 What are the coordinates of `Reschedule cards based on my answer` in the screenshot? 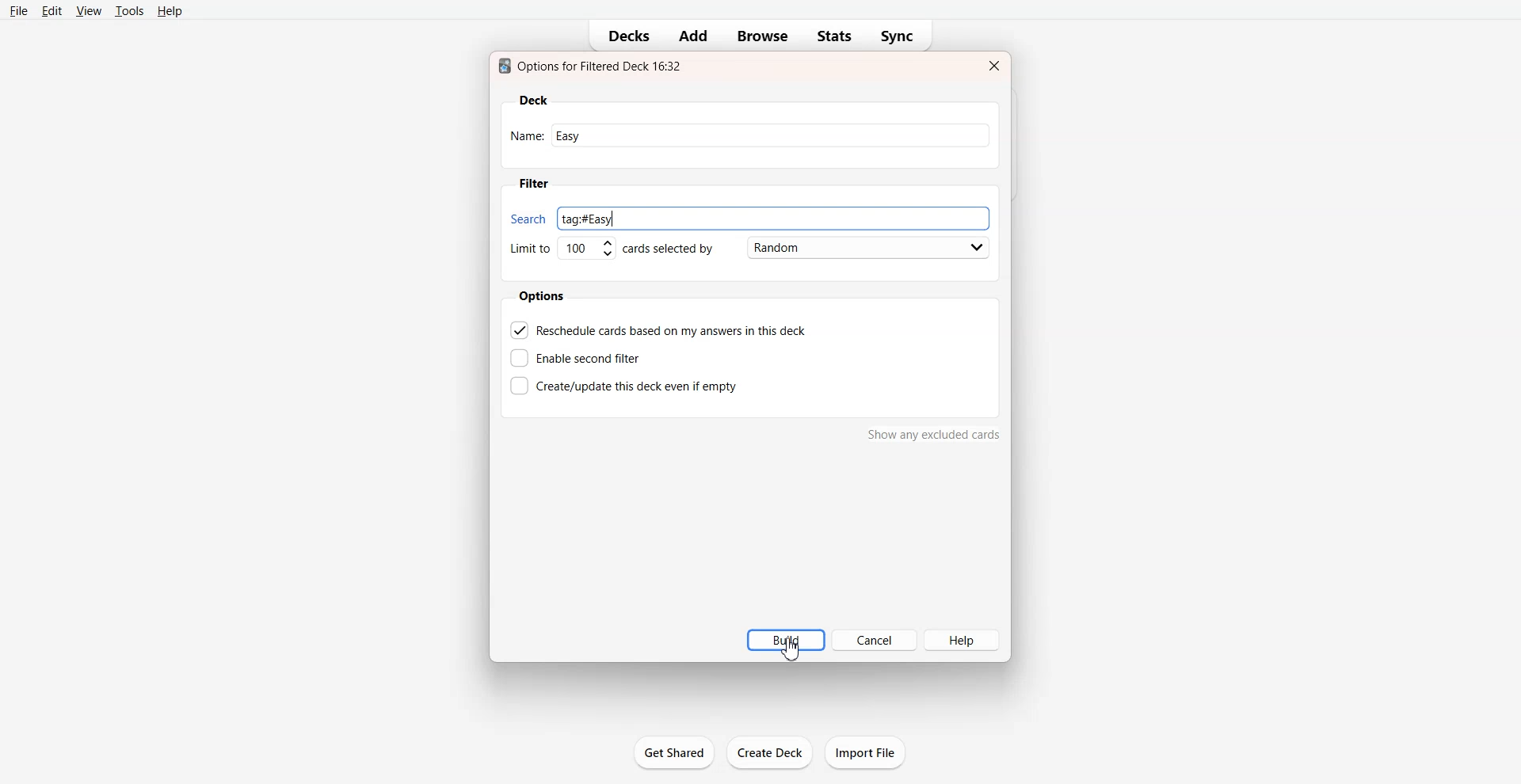 It's located at (660, 329).